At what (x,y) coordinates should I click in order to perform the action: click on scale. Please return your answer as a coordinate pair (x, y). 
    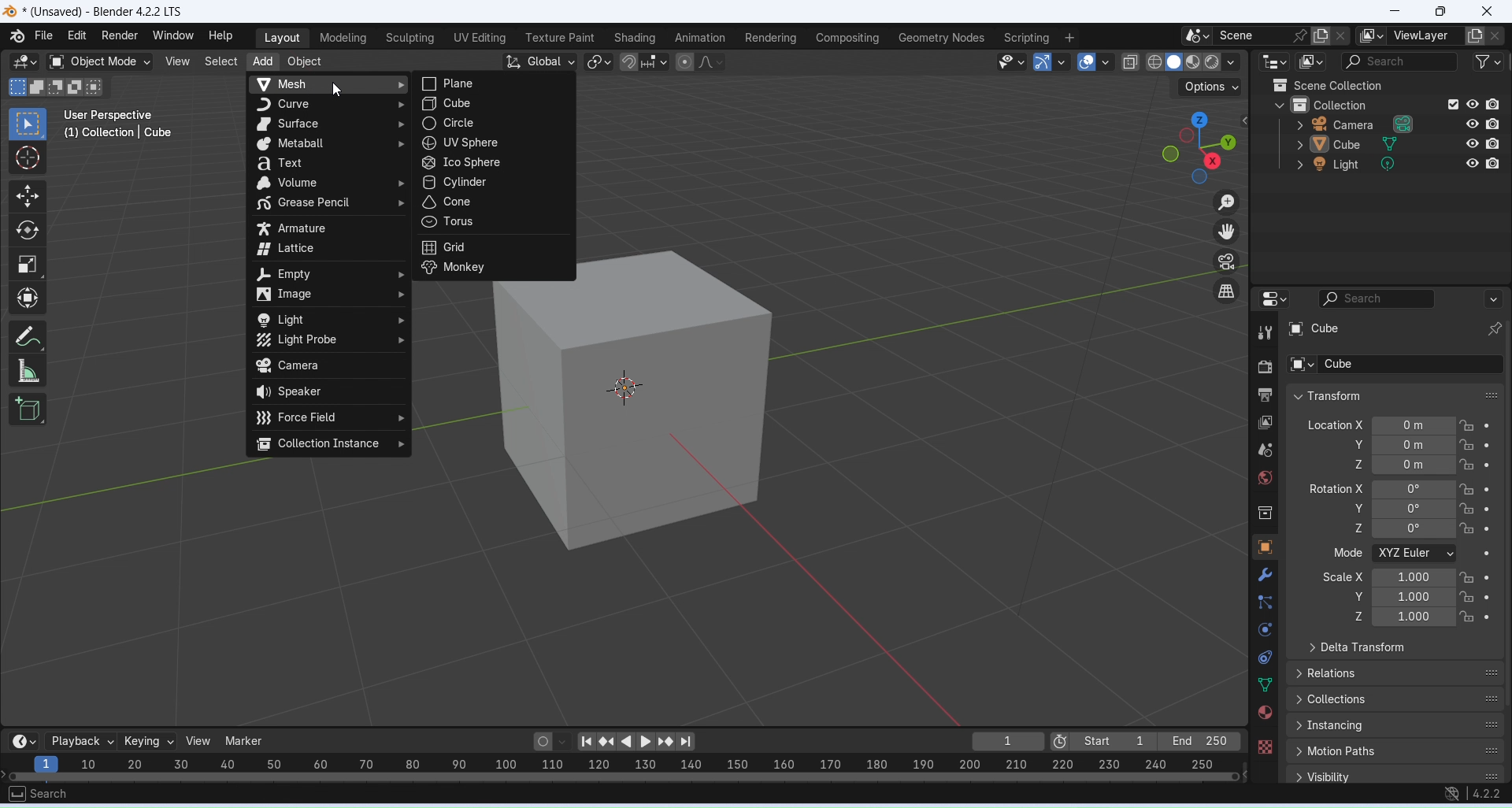
    Looking at the image, I should click on (636, 764).